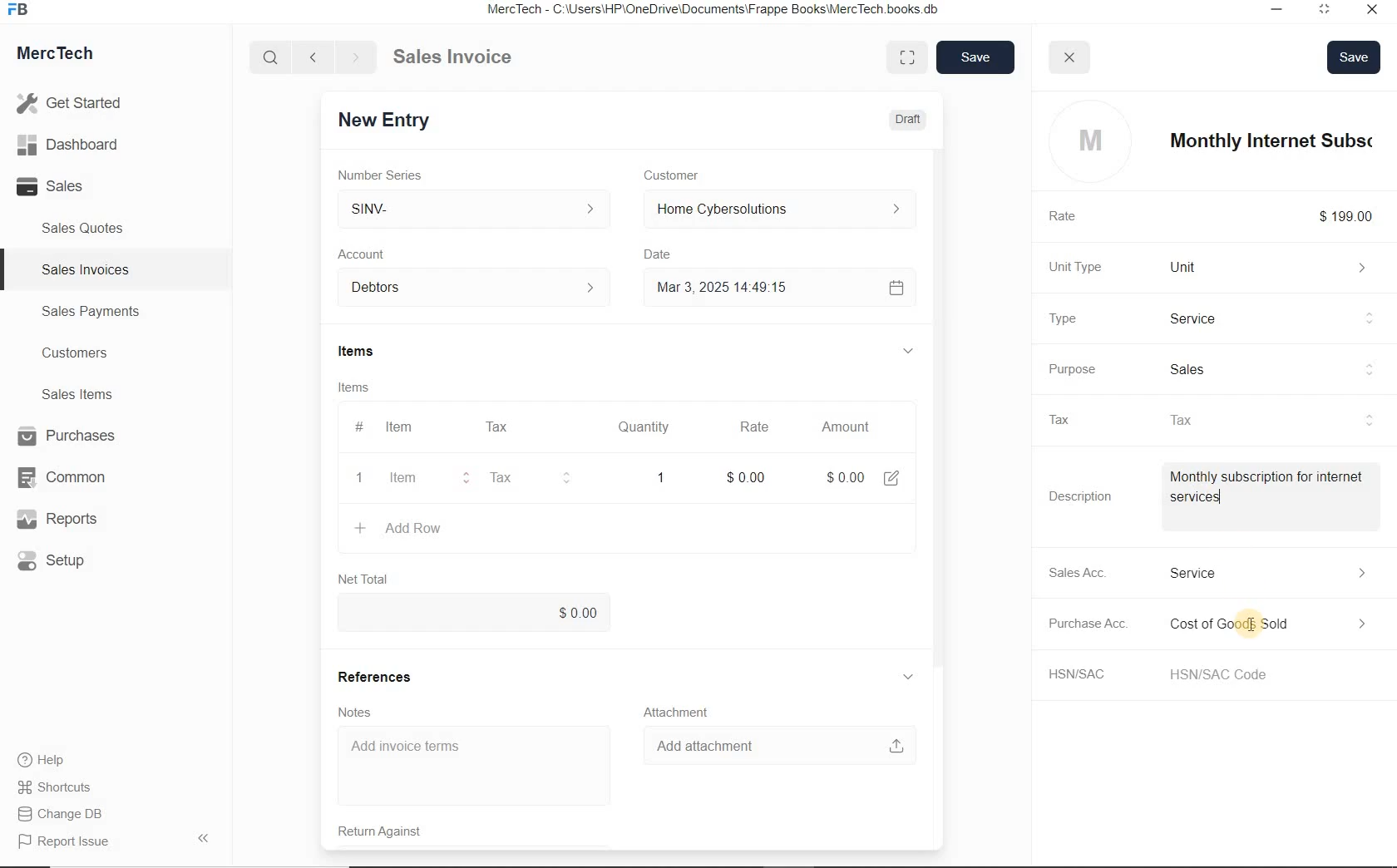 This screenshot has width=1397, height=868. I want to click on Home Cyber Solutions, so click(774, 210).